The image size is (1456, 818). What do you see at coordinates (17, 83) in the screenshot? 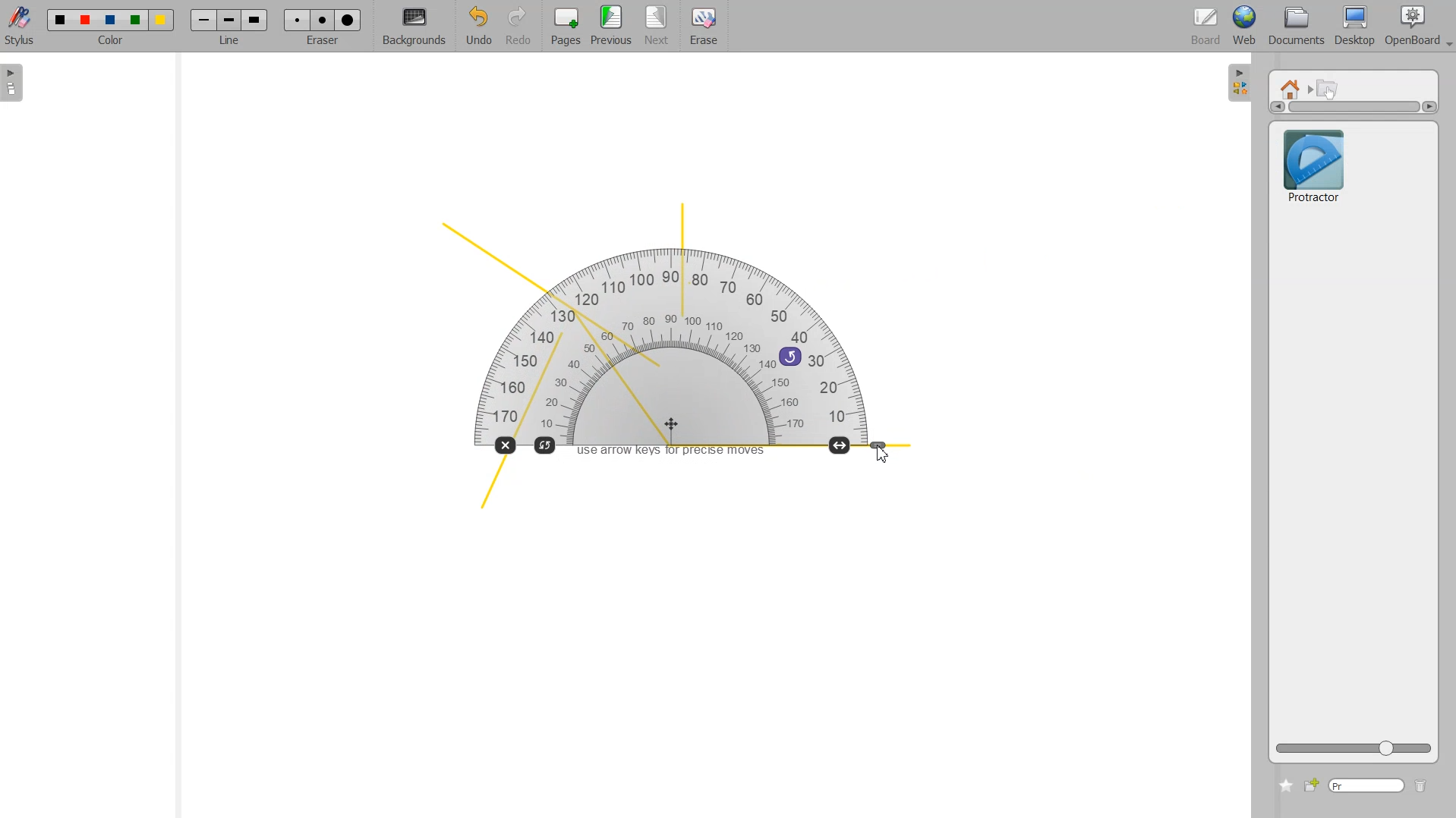
I see `Sidebar` at bounding box center [17, 83].